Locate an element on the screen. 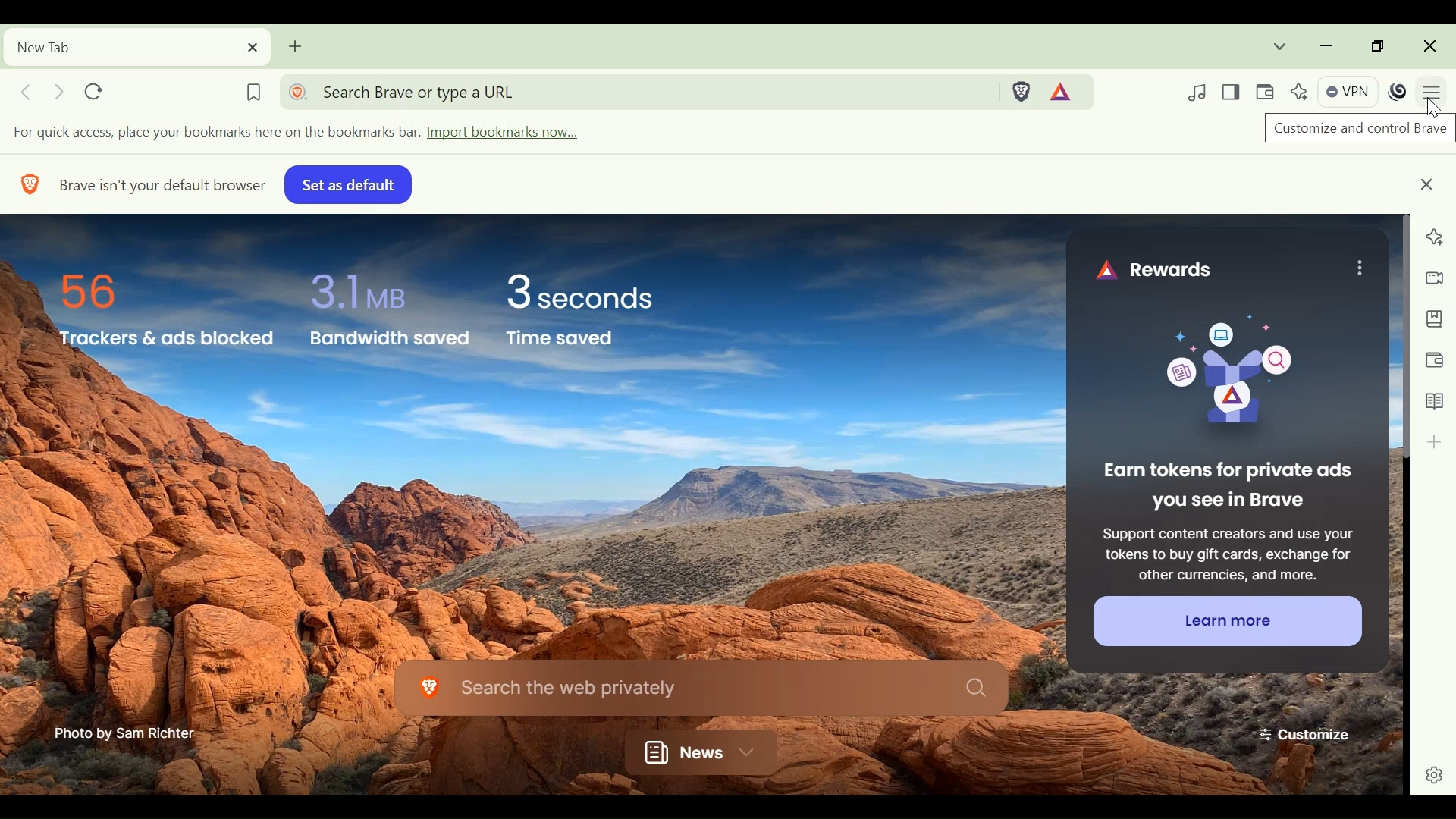  Customize is located at coordinates (1304, 735).